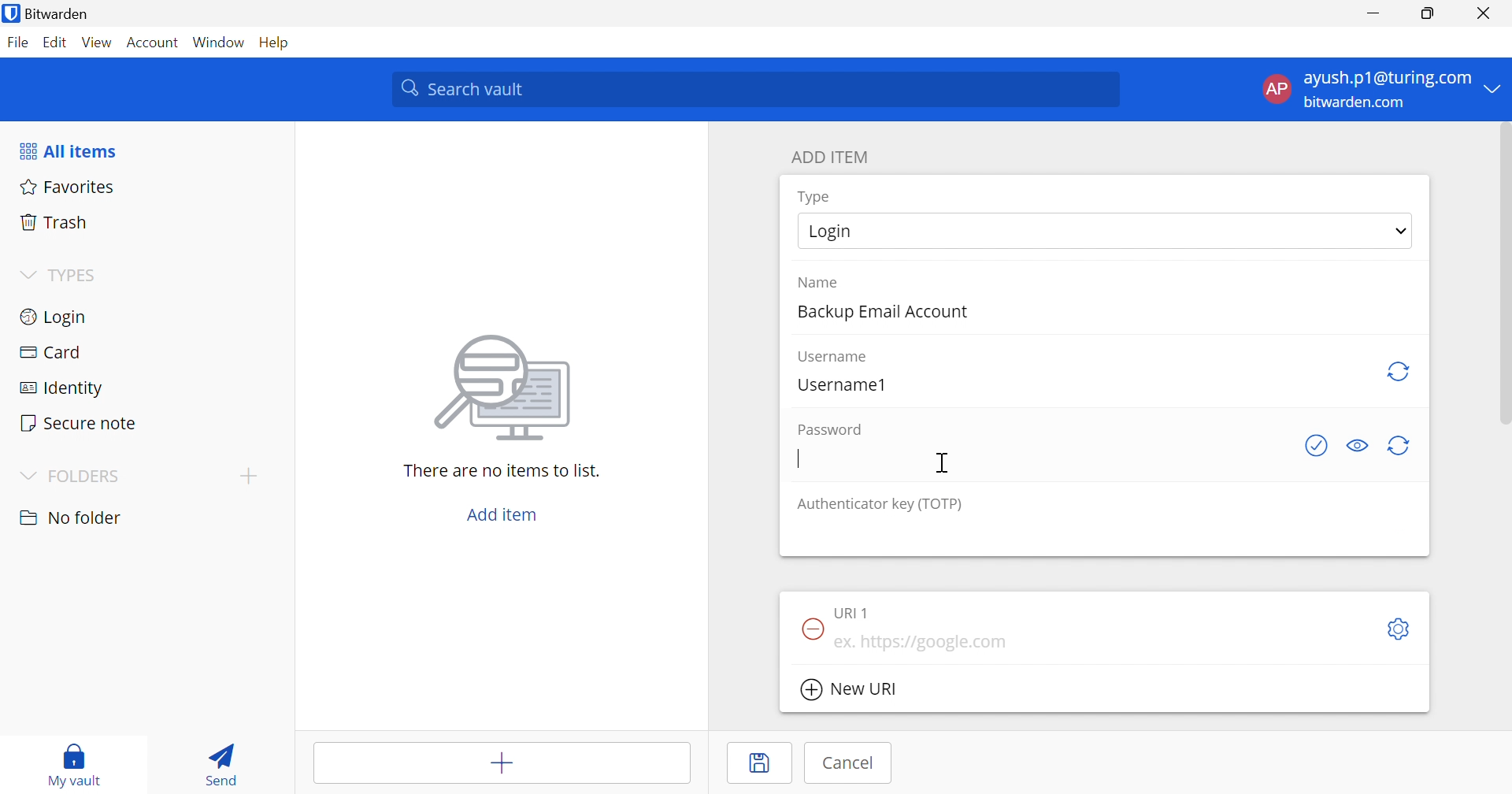  What do you see at coordinates (880, 506) in the screenshot?
I see `Authenticator key (TOTP)` at bounding box center [880, 506].